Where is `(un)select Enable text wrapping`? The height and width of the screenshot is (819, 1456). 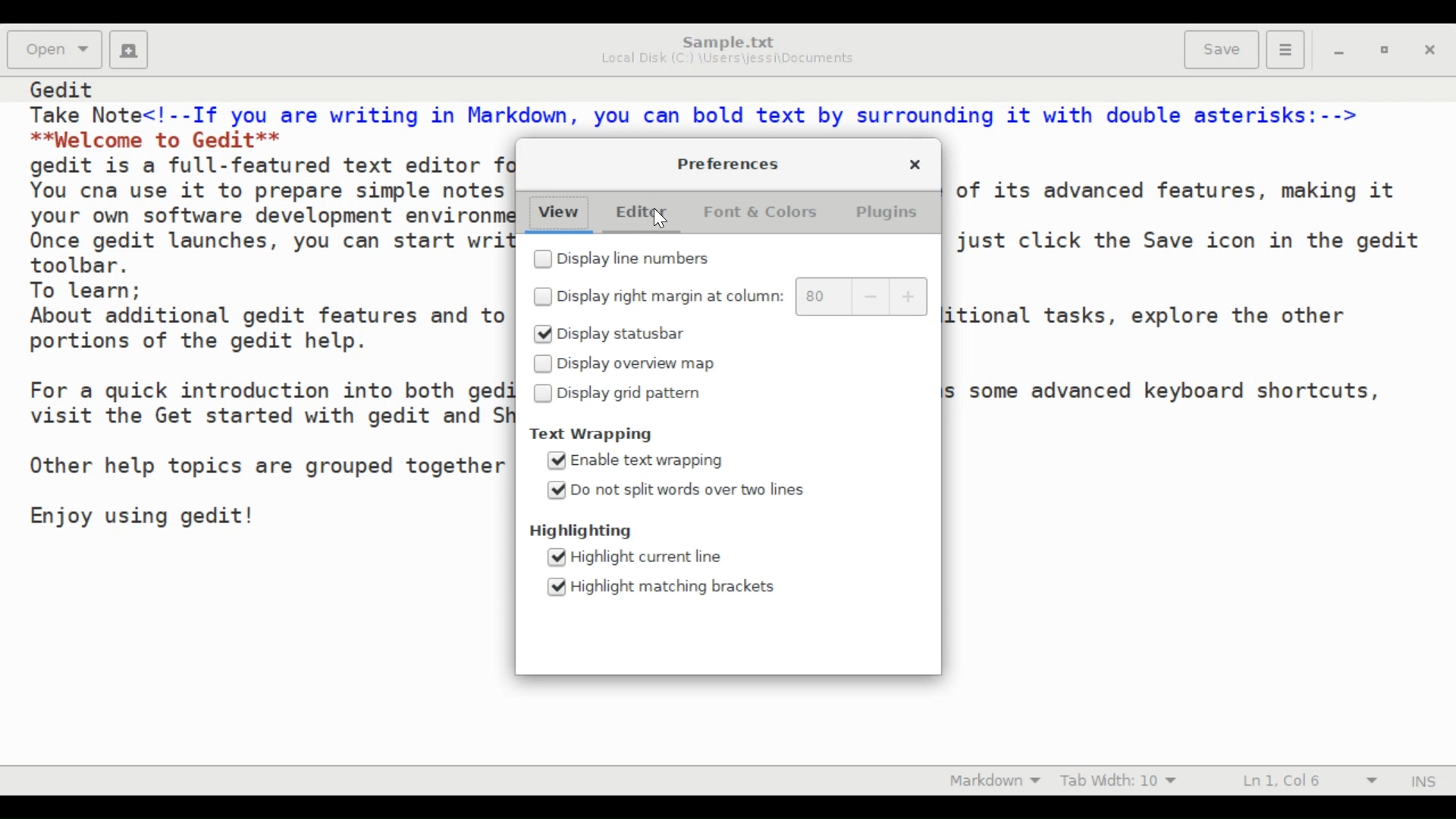
(un)select Enable text wrapping is located at coordinates (641, 462).